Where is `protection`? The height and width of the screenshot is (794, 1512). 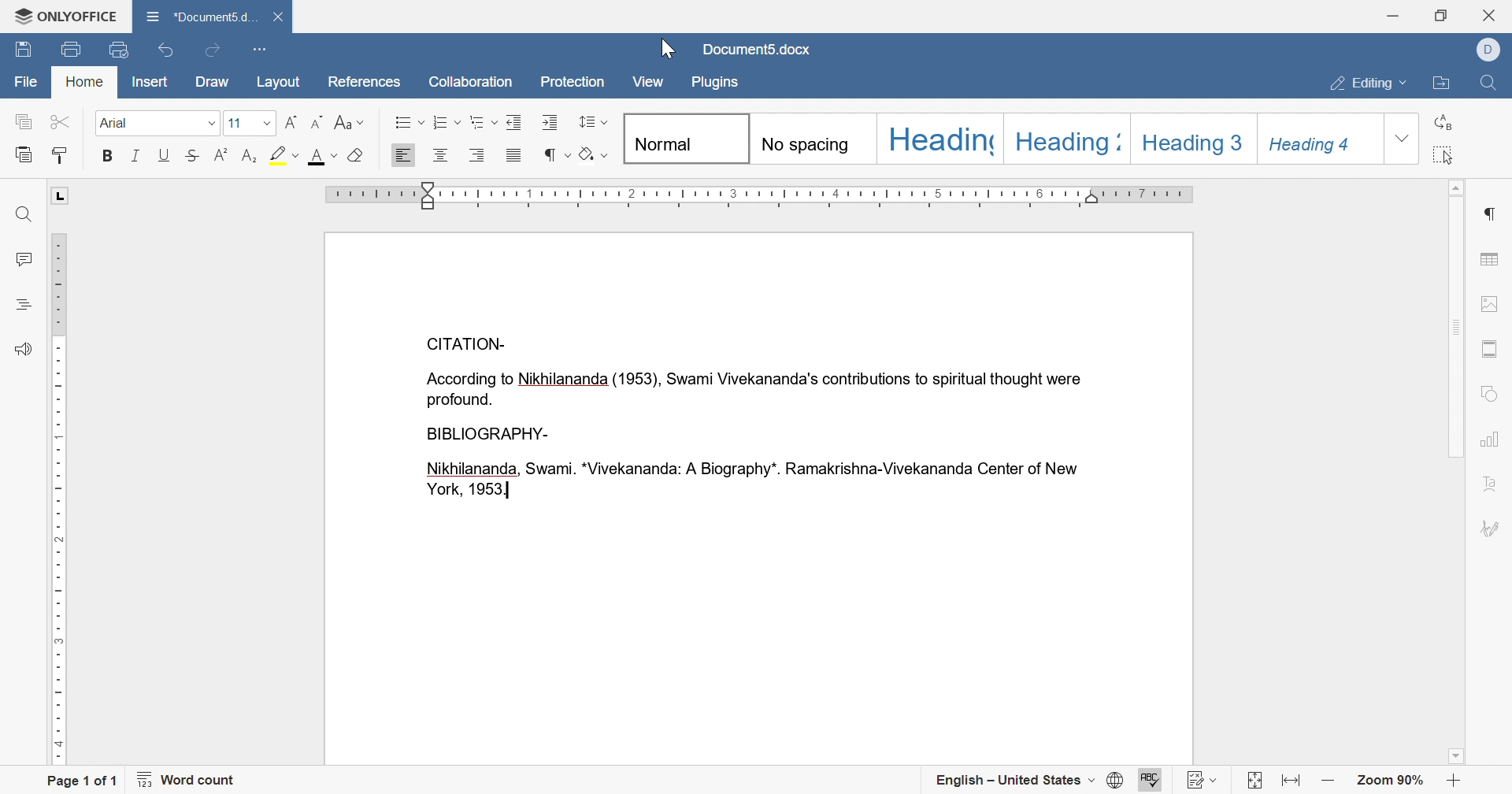
protection is located at coordinates (576, 82).